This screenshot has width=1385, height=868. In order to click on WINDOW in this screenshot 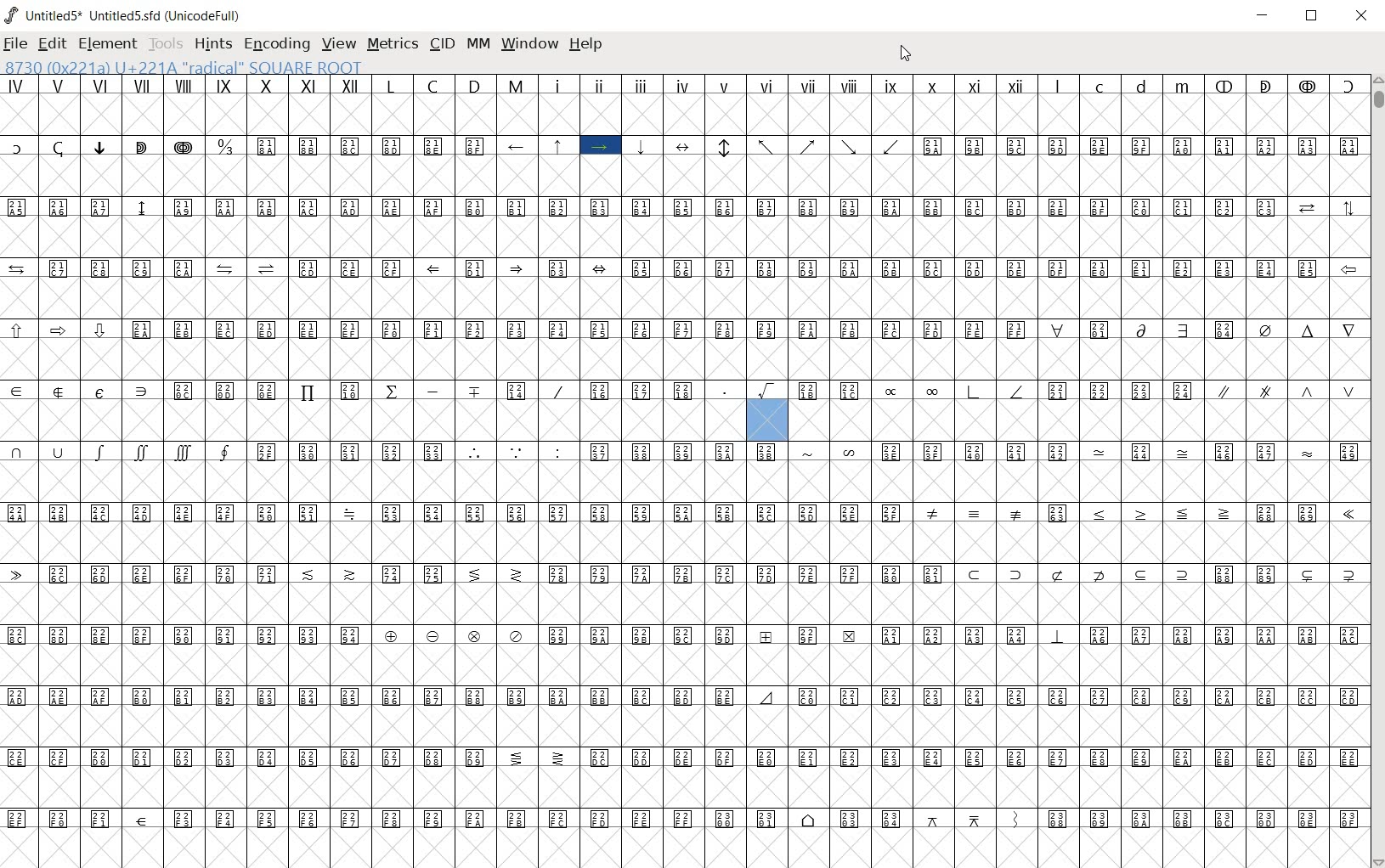, I will do `click(530, 45)`.